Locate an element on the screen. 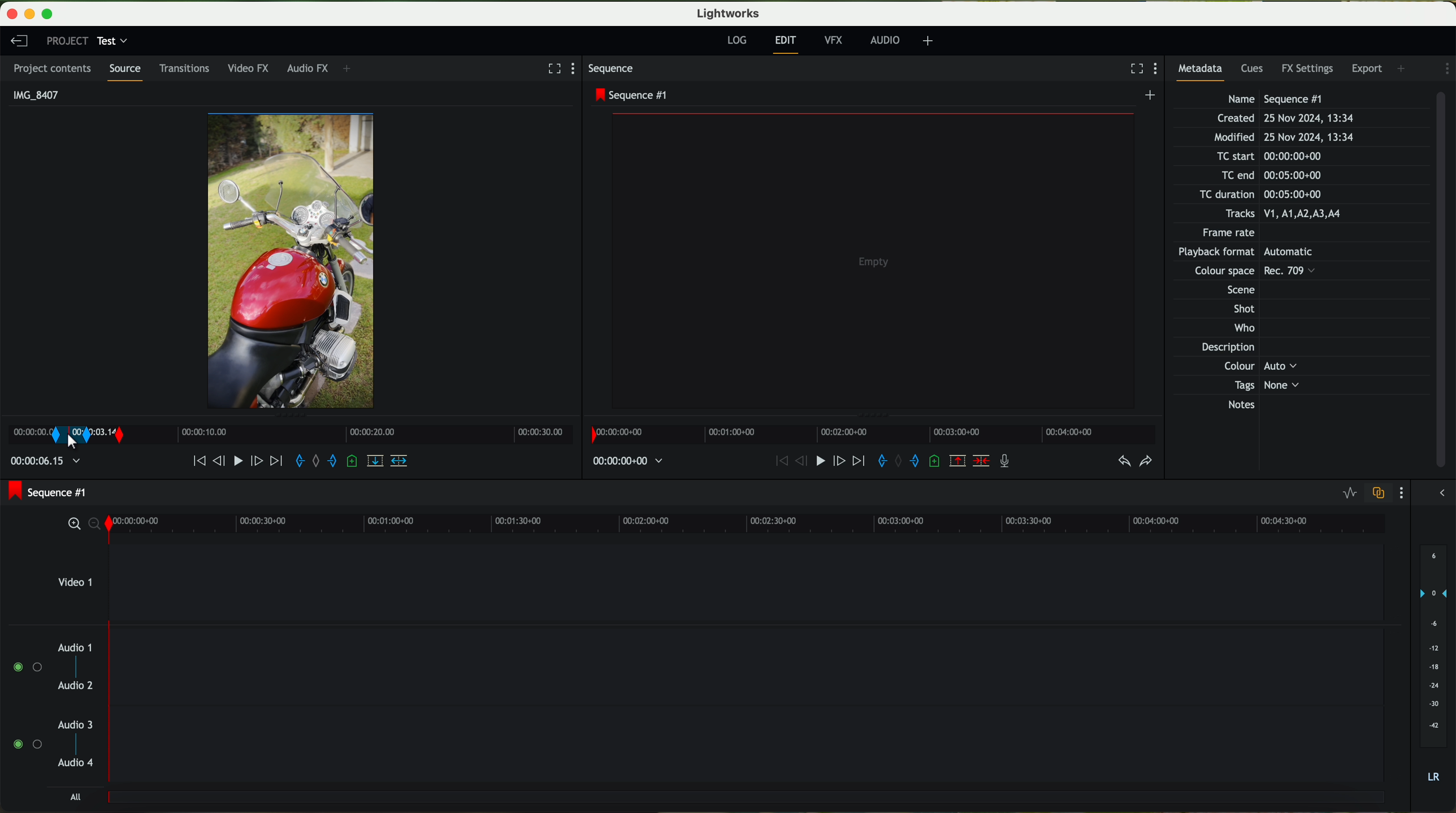  timeline is located at coordinates (747, 523).